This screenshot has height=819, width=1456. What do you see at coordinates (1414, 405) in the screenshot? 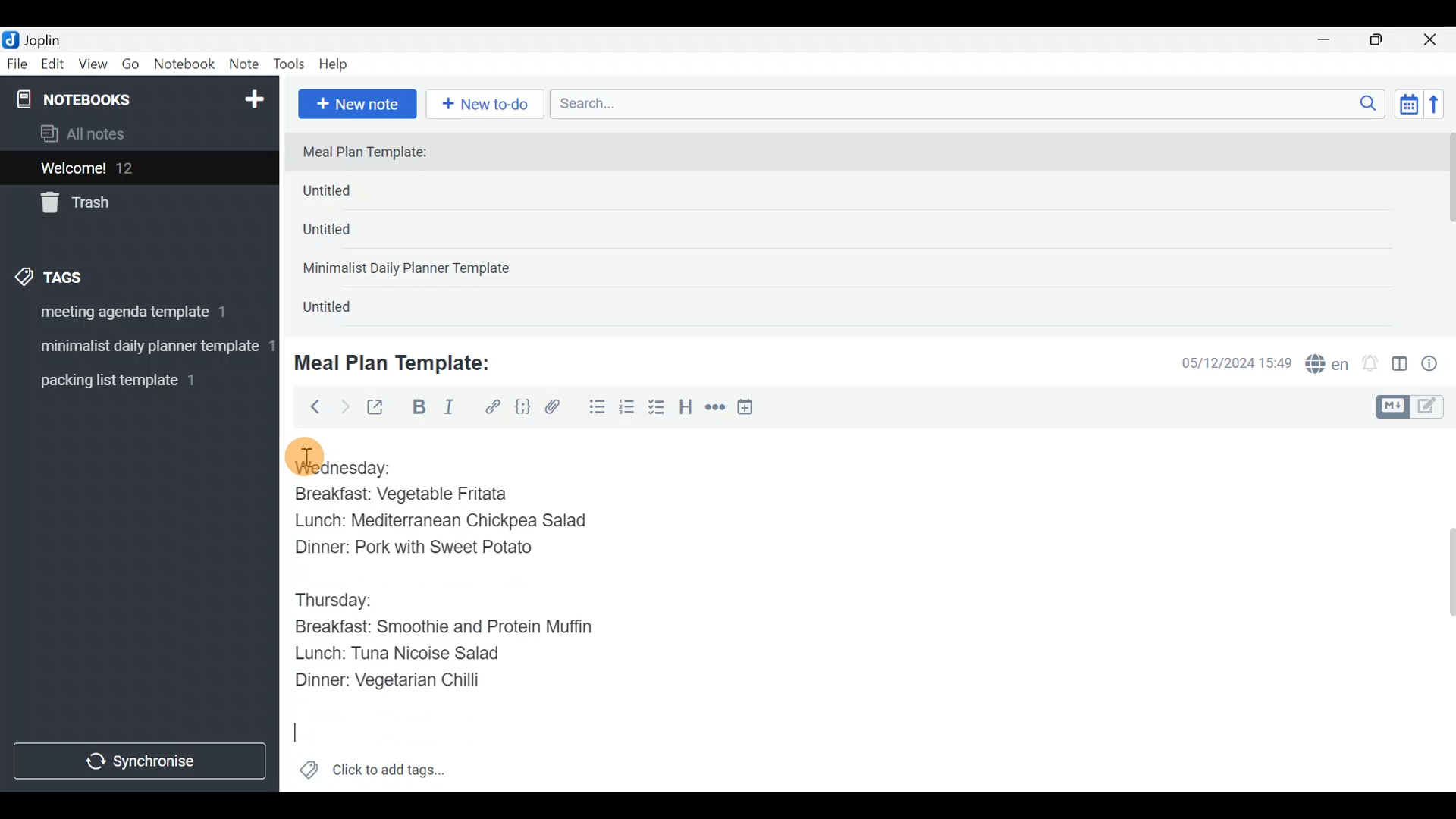
I see `Toggle editors` at bounding box center [1414, 405].